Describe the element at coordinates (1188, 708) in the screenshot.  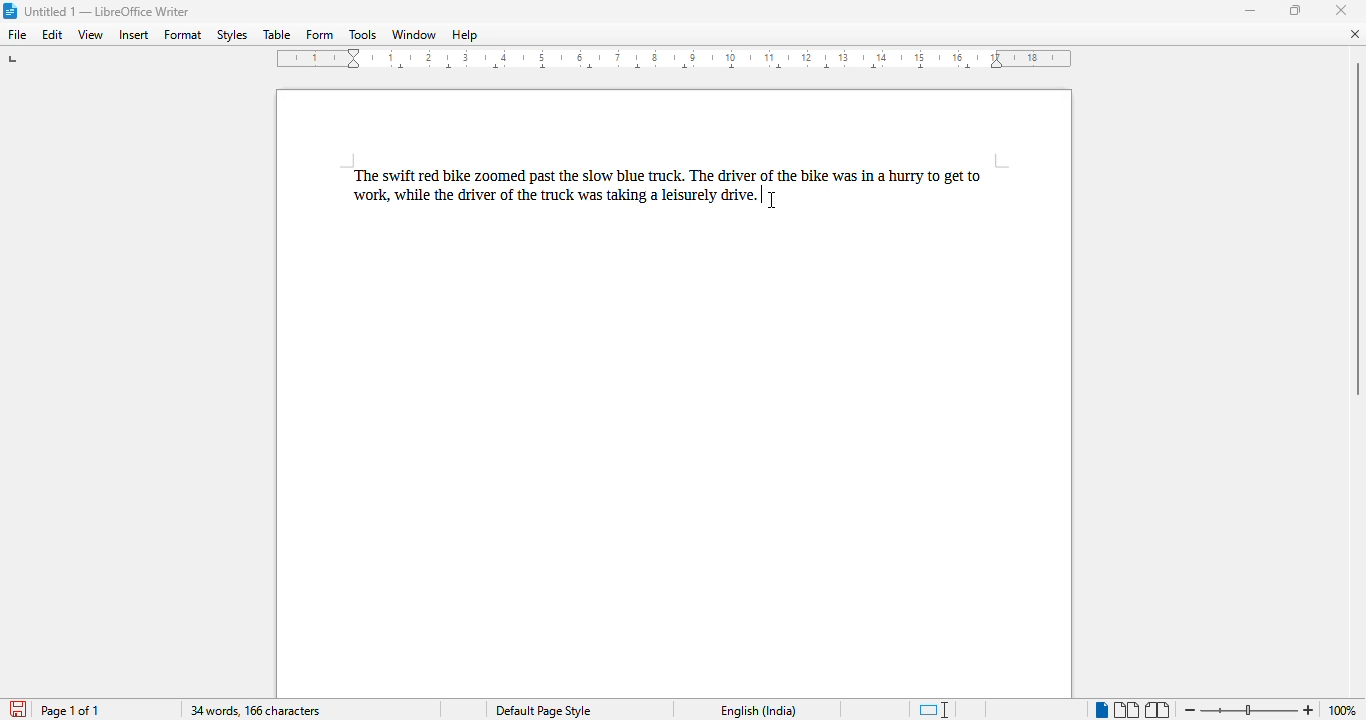
I see `zoom out` at that location.